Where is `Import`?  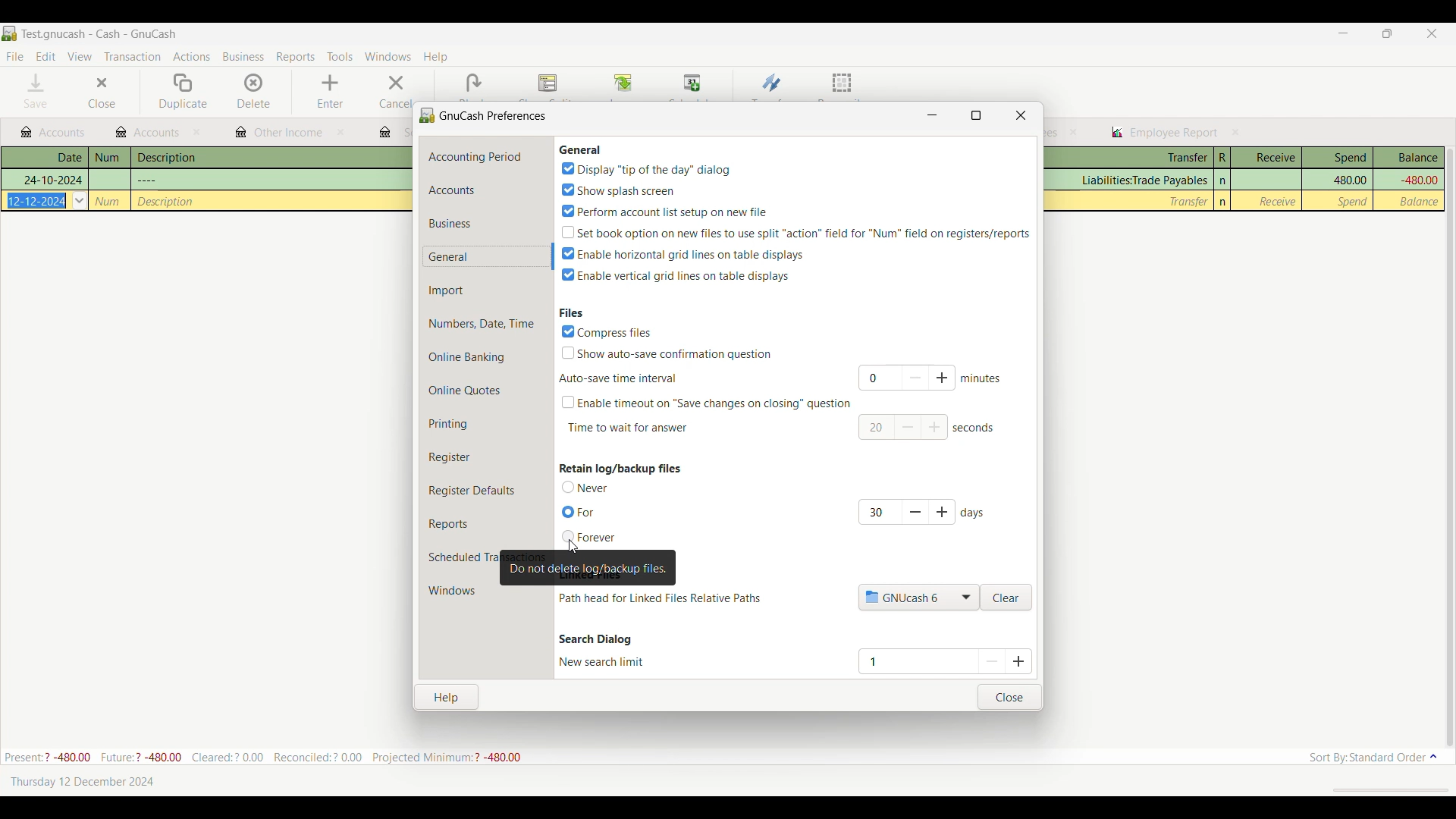
Import is located at coordinates (487, 290).